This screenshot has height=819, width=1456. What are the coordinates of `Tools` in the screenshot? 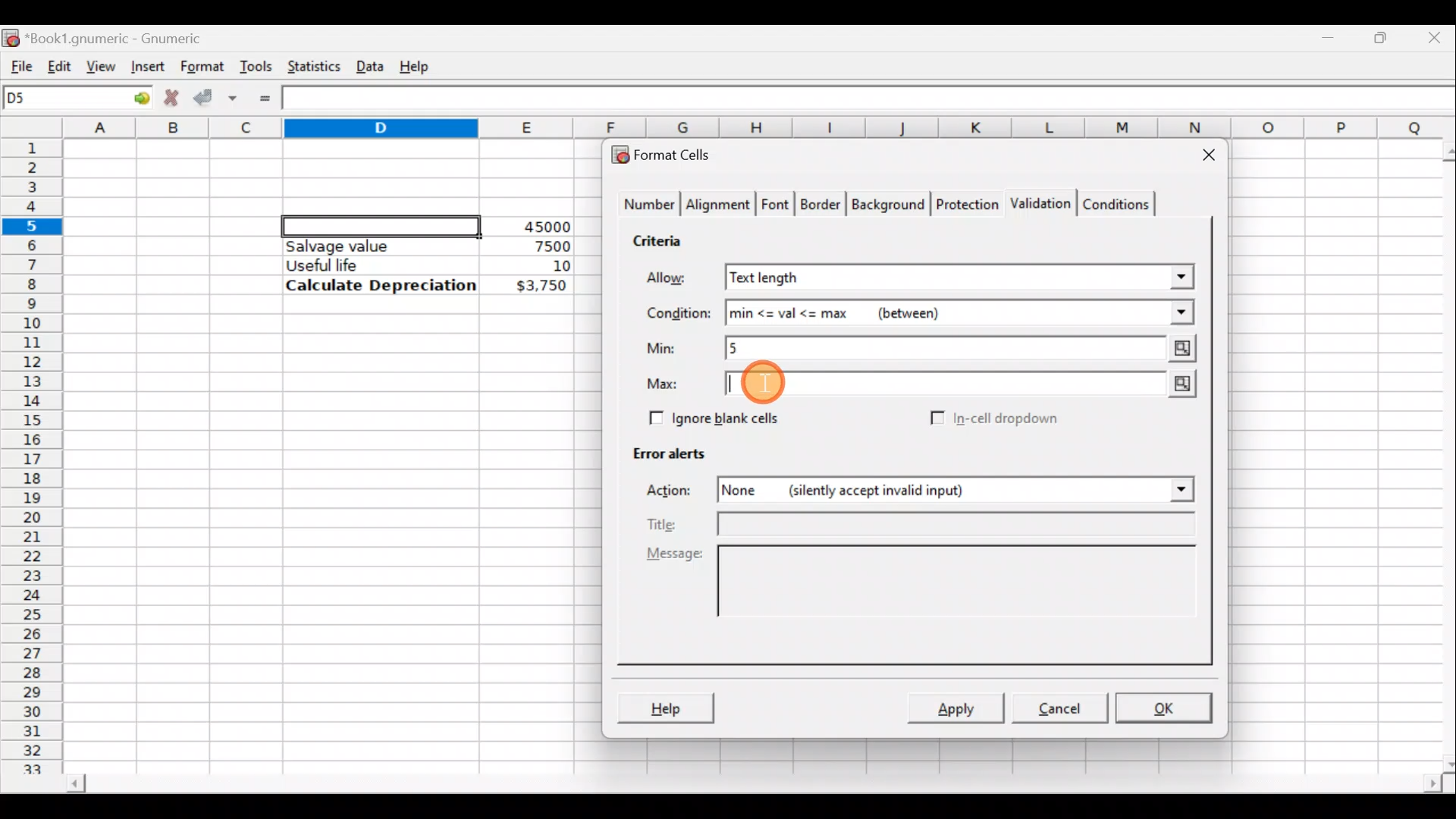 It's located at (256, 65).